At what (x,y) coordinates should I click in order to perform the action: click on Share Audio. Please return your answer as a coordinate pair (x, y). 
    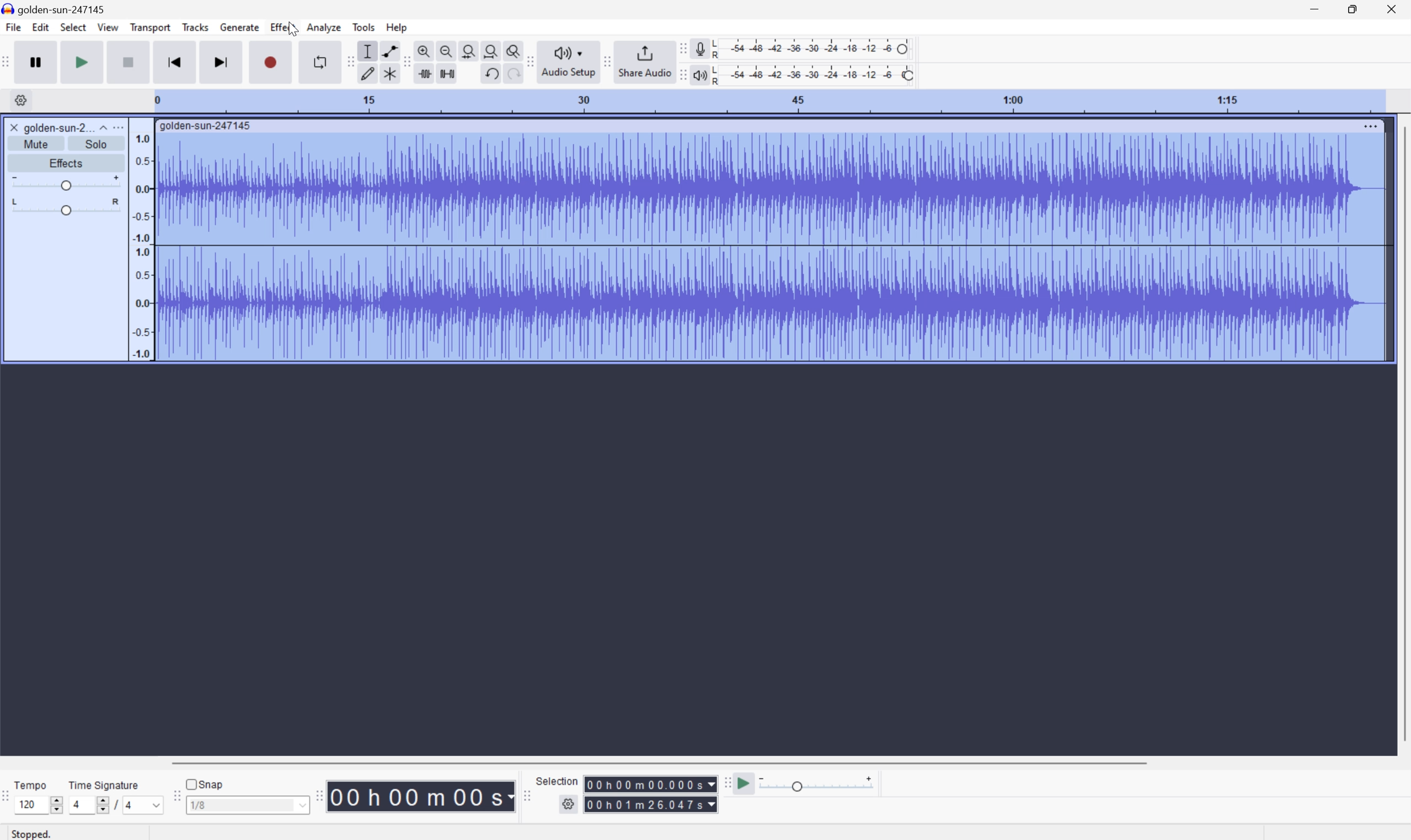
    Looking at the image, I should click on (644, 61).